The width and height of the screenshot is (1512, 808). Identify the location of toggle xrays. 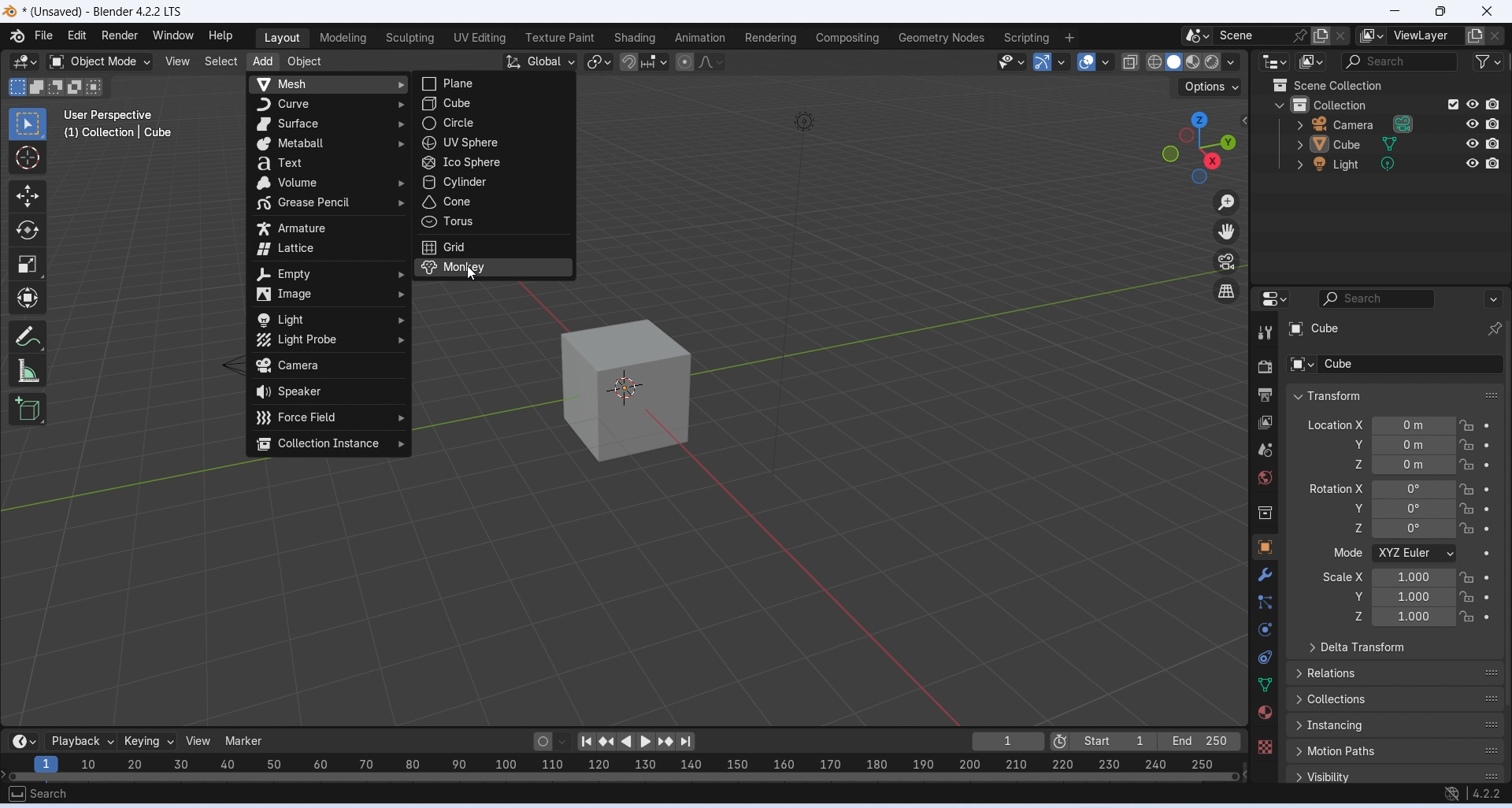
(1131, 62).